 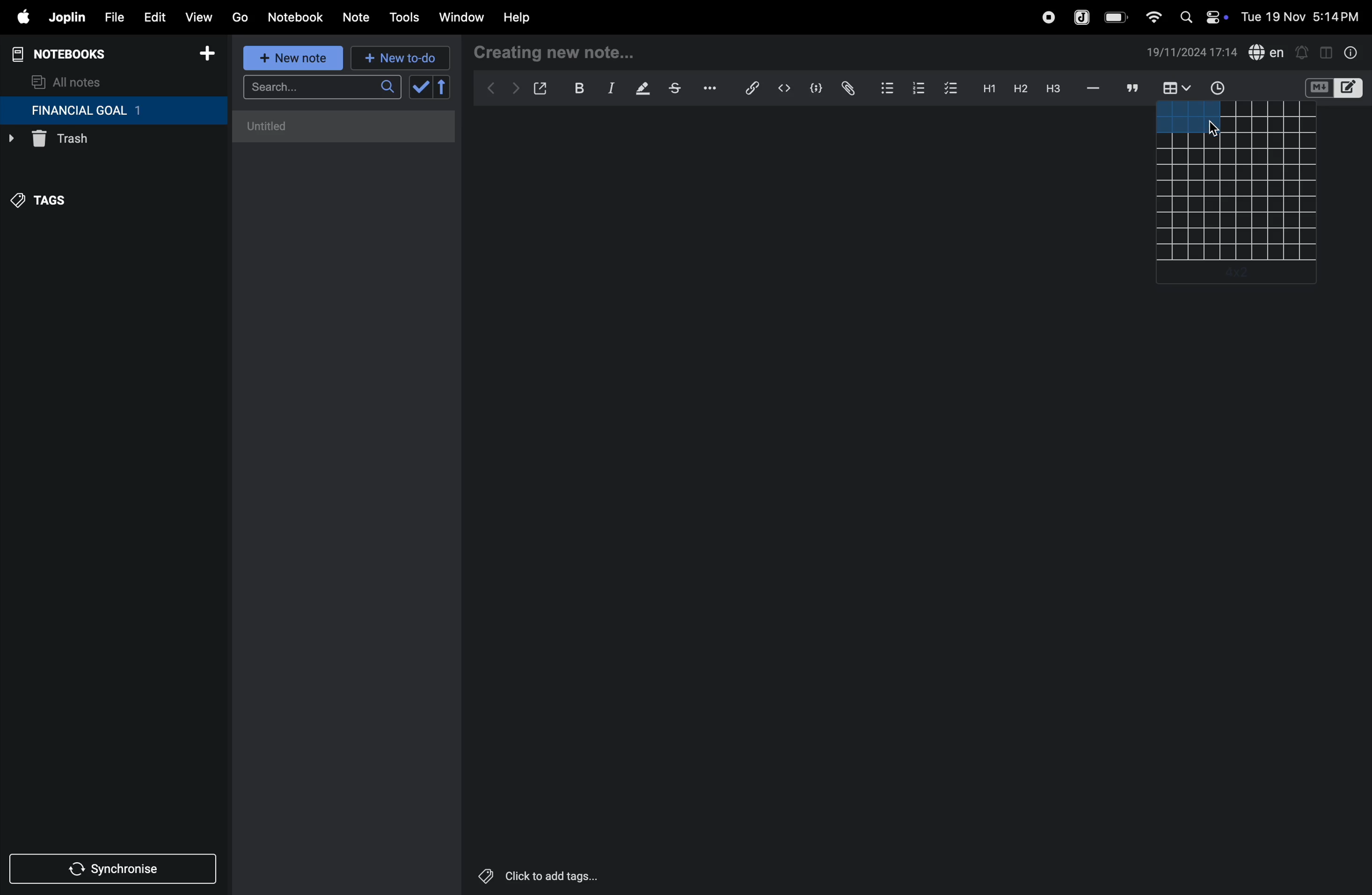 I want to click on financial goal, so click(x=113, y=111).